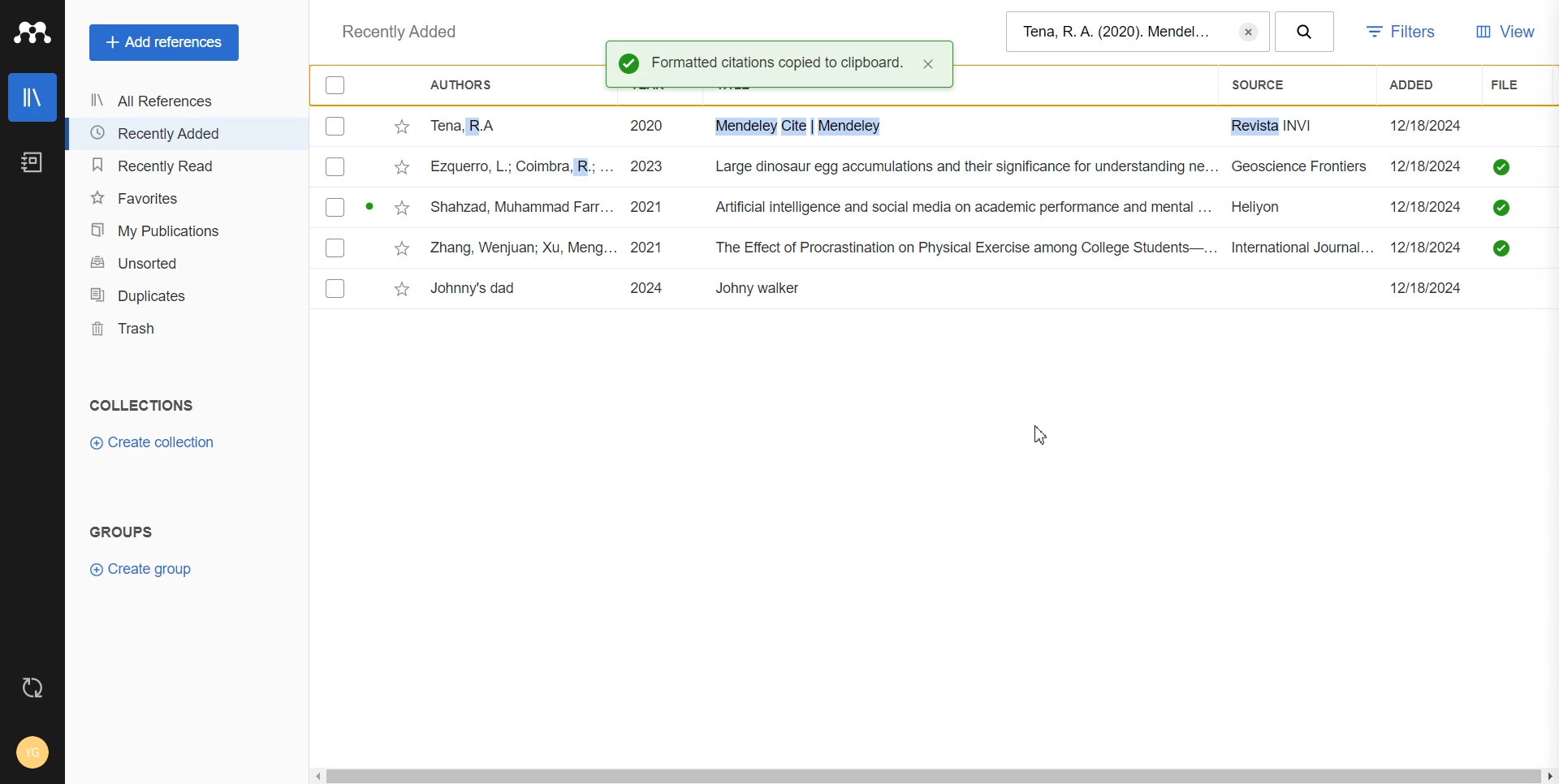 Image resolution: width=1559 pixels, height=784 pixels. I want to click on Create Collection, so click(153, 443).